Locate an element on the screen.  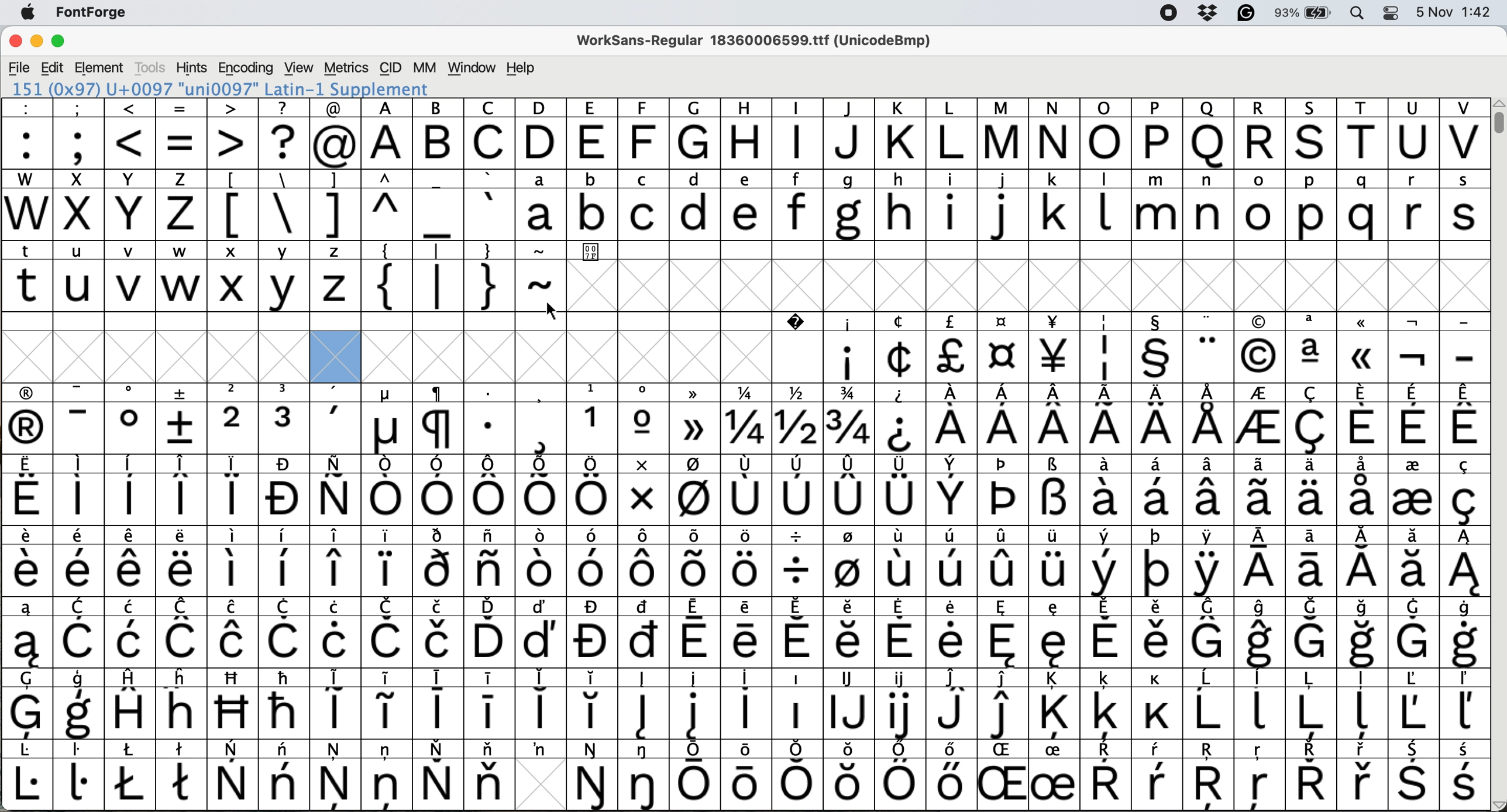
? is located at coordinates (284, 133).